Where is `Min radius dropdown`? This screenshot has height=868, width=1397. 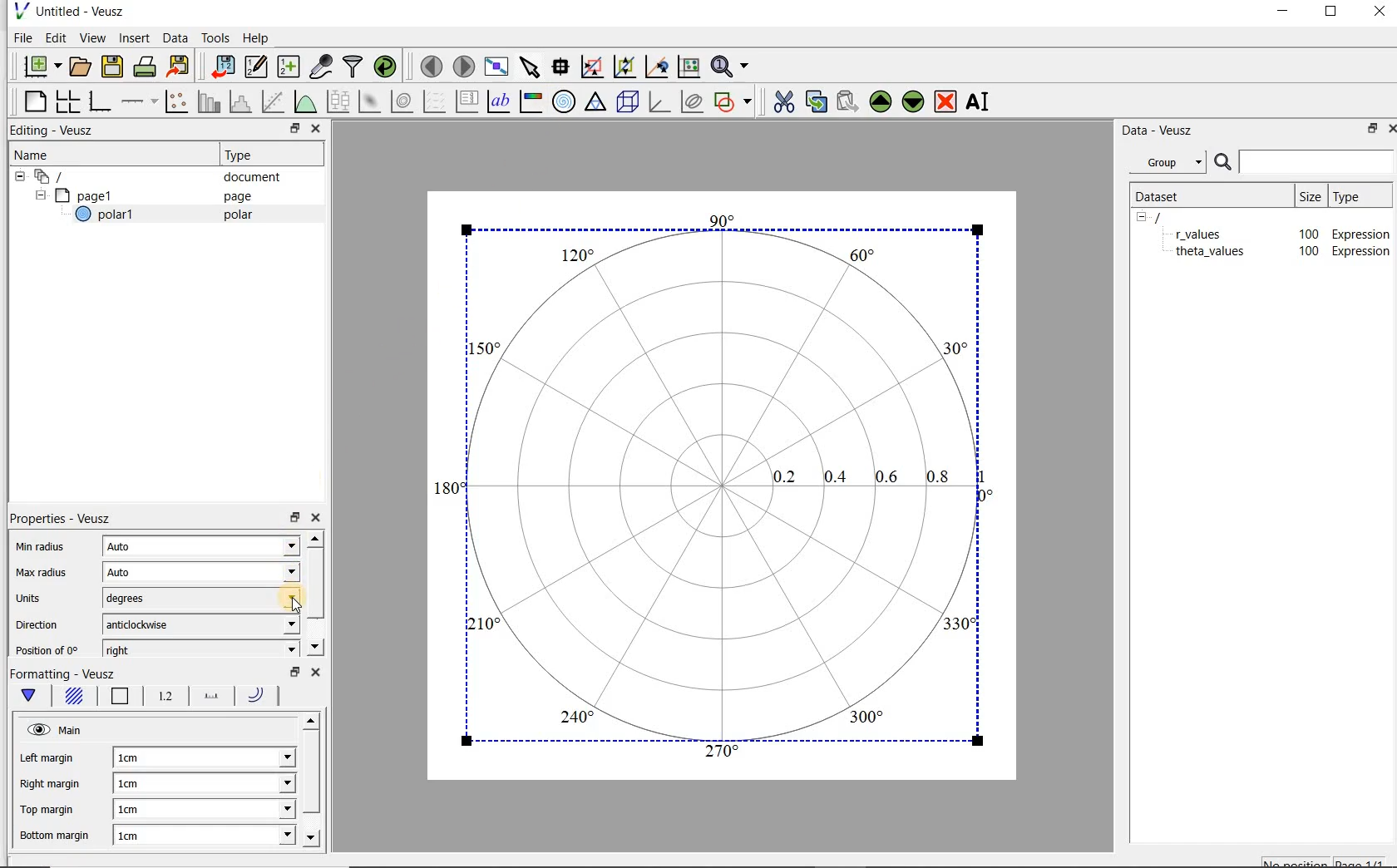
Min radius dropdown is located at coordinates (262, 547).